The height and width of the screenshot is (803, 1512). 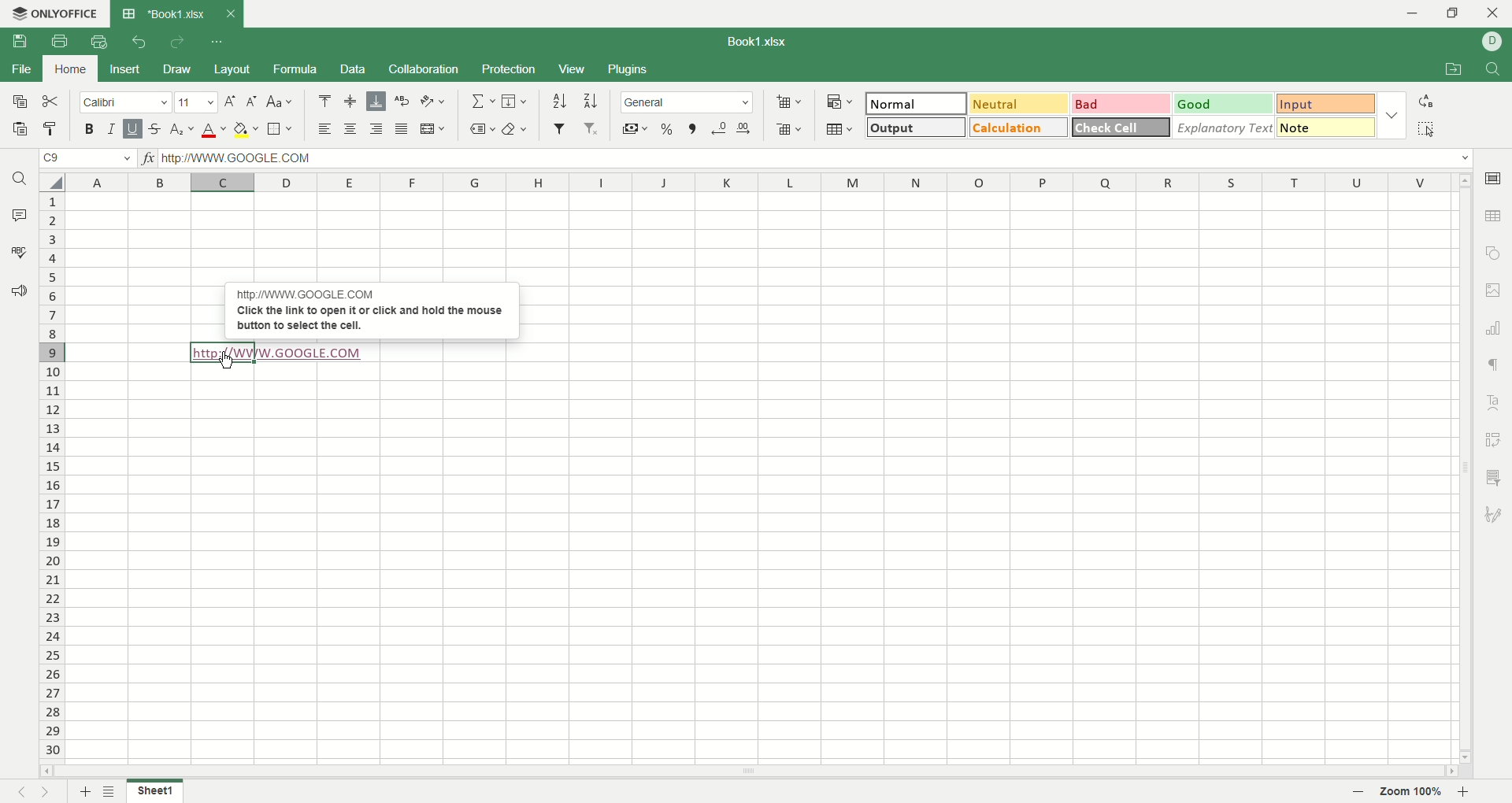 What do you see at coordinates (515, 99) in the screenshot?
I see `fill` at bounding box center [515, 99].